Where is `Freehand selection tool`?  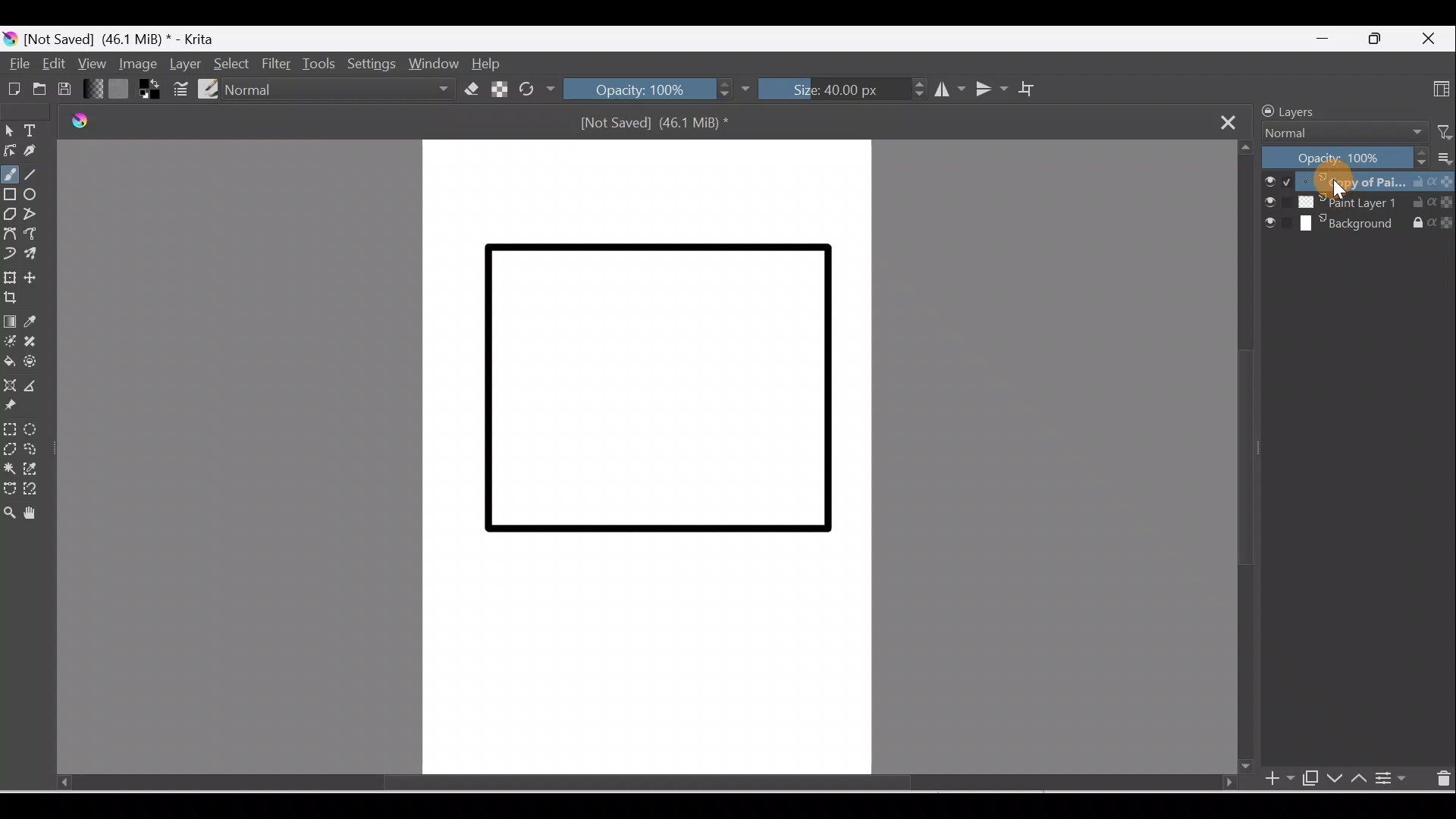
Freehand selection tool is located at coordinates (38, 449).